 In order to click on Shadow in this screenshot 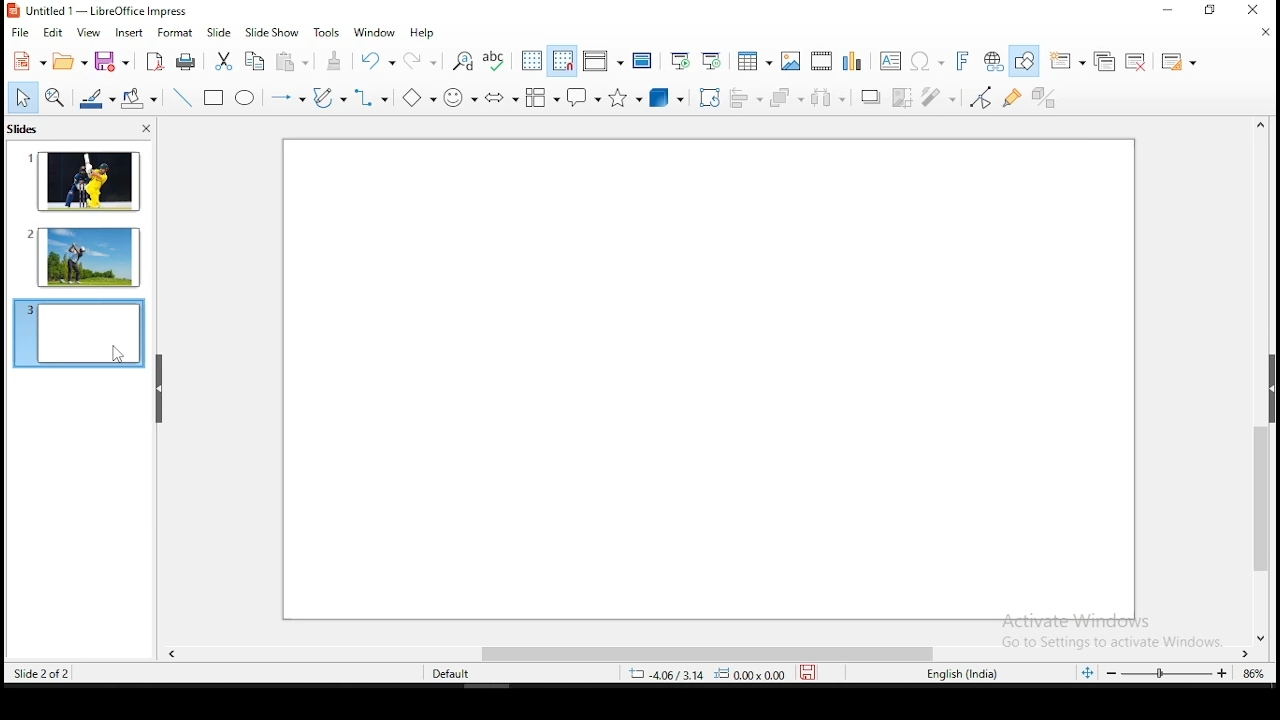, I will do `click(866, 98)`.